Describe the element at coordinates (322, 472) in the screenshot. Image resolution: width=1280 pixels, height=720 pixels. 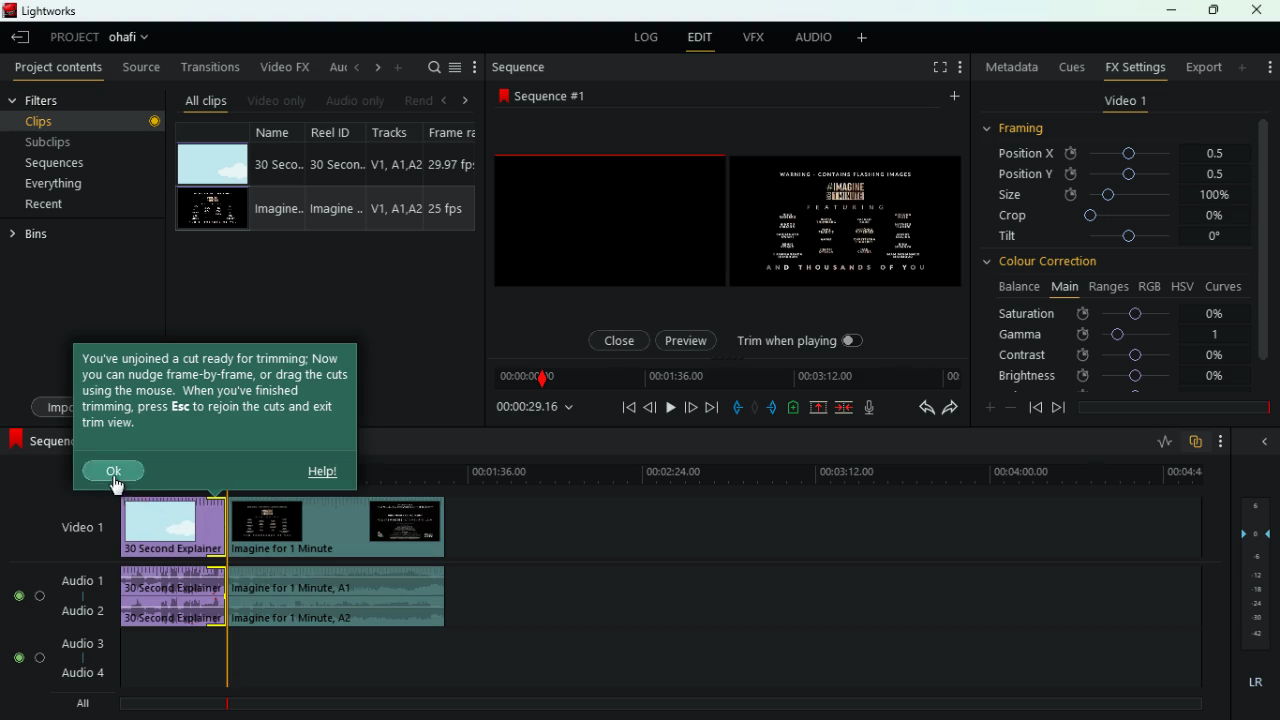
I see `help` at that location.